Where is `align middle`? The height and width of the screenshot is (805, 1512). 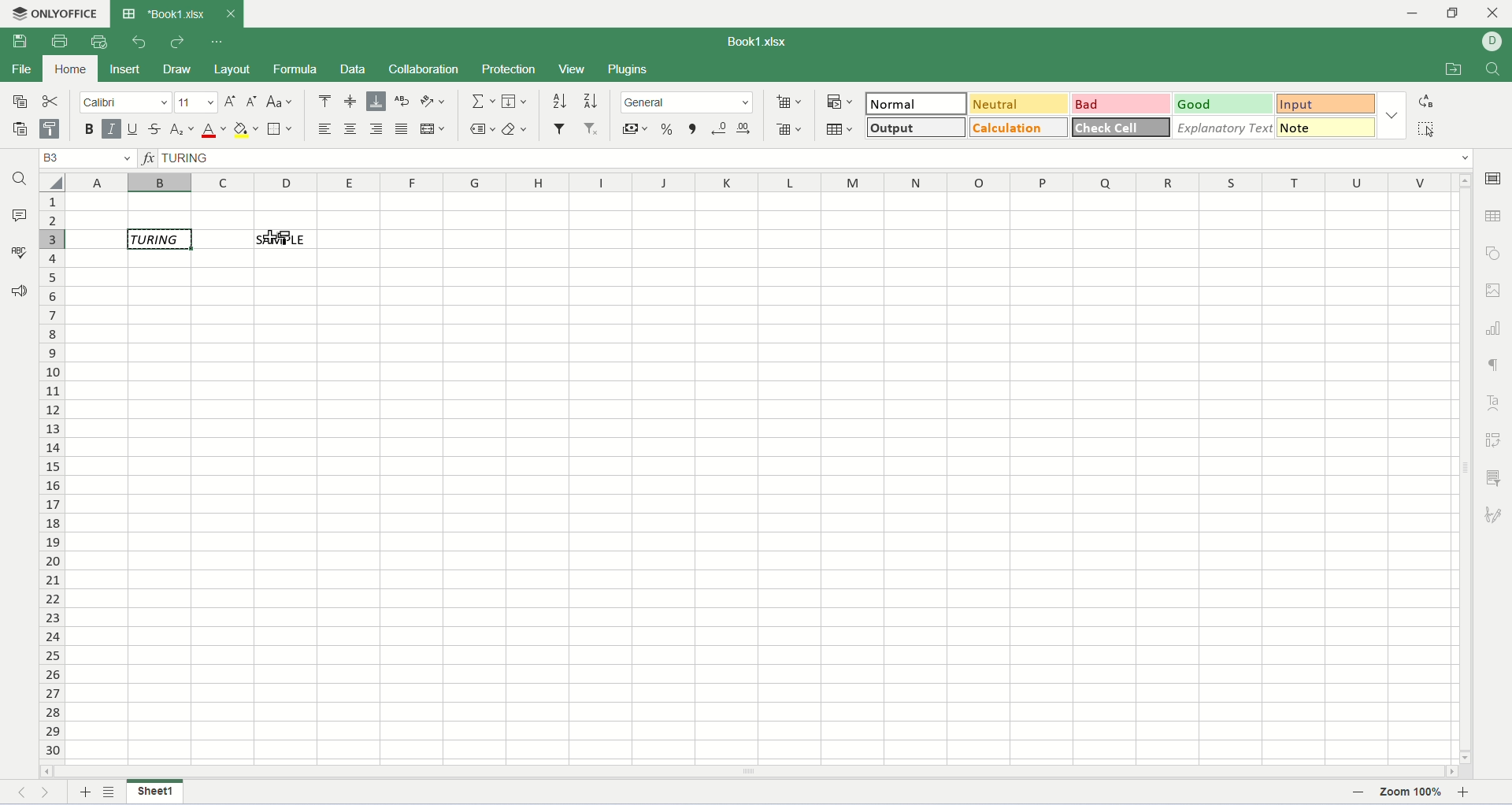 align middle is located at coordinates (352, 103).